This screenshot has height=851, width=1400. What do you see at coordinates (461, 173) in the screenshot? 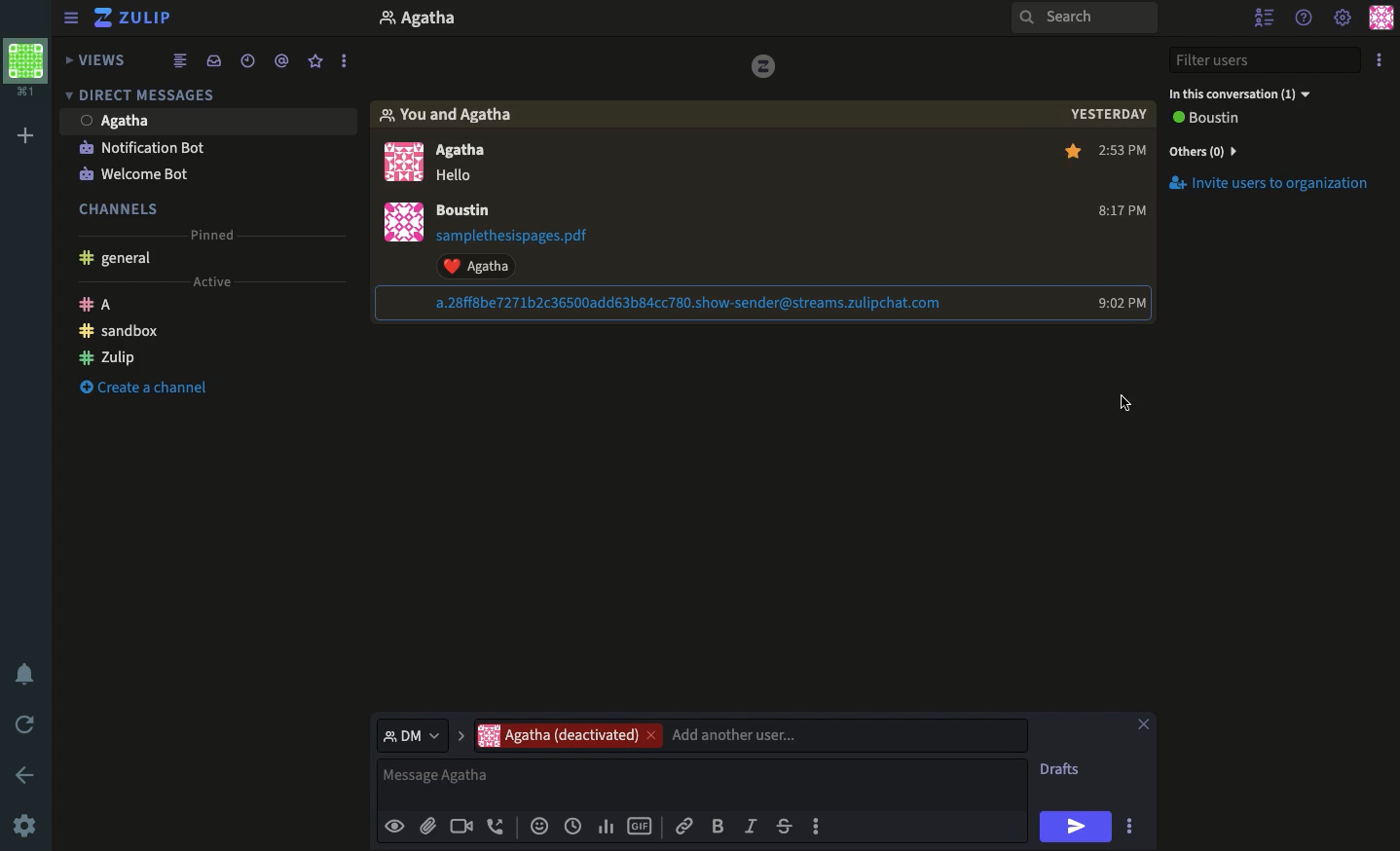
I see `Text` at bounding box center [461, 173].